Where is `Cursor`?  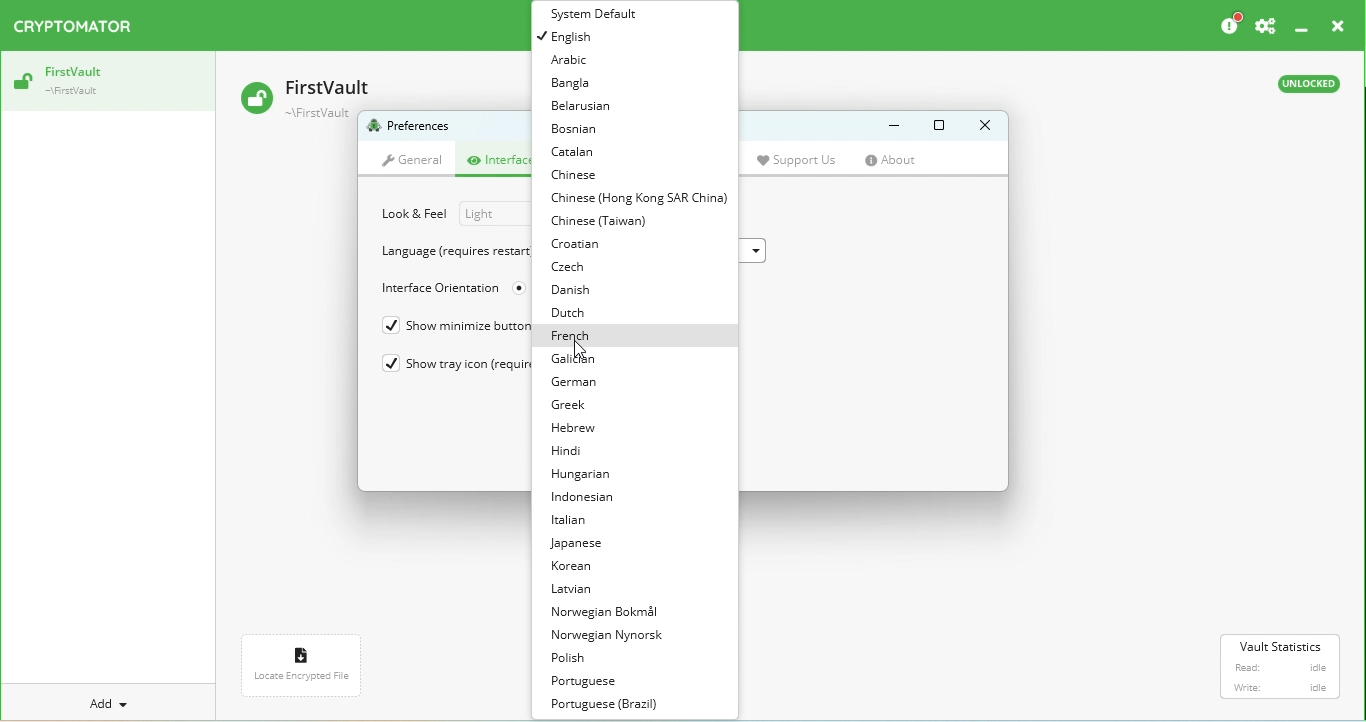 Cursor is located at coordinates (580, 349).